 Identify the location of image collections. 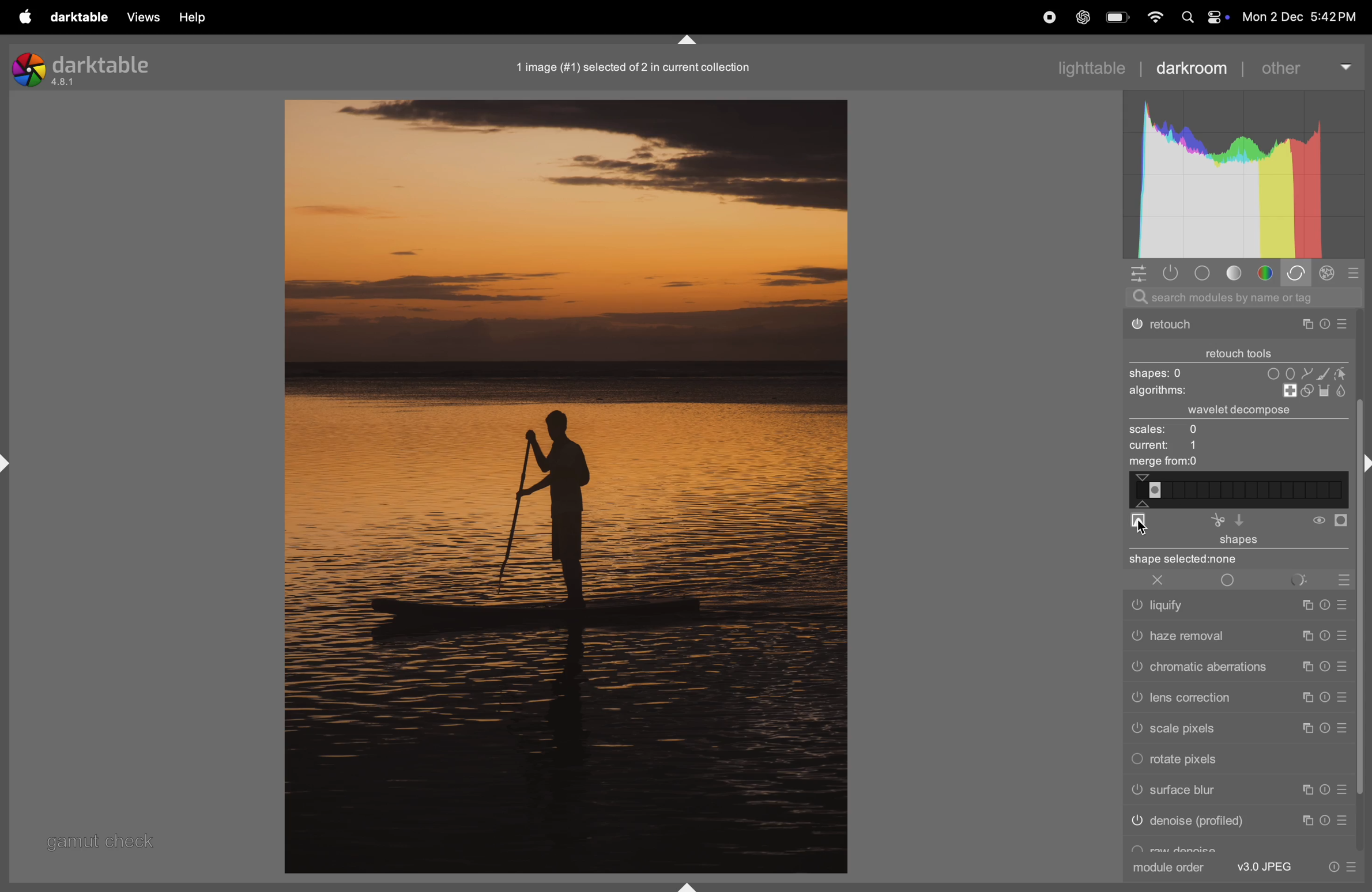
(642, 67).